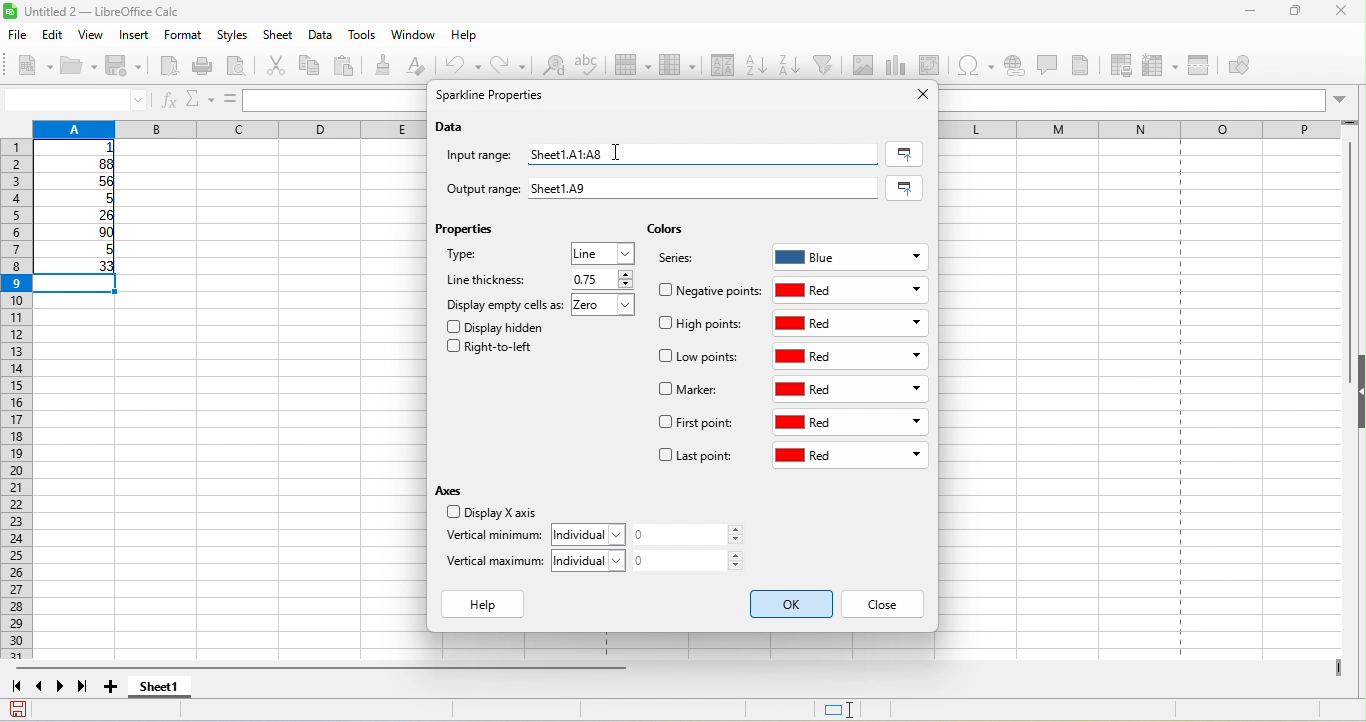 The width and height of the screenshot is (1366, 722). I want to click on color change, so click(793, 605).